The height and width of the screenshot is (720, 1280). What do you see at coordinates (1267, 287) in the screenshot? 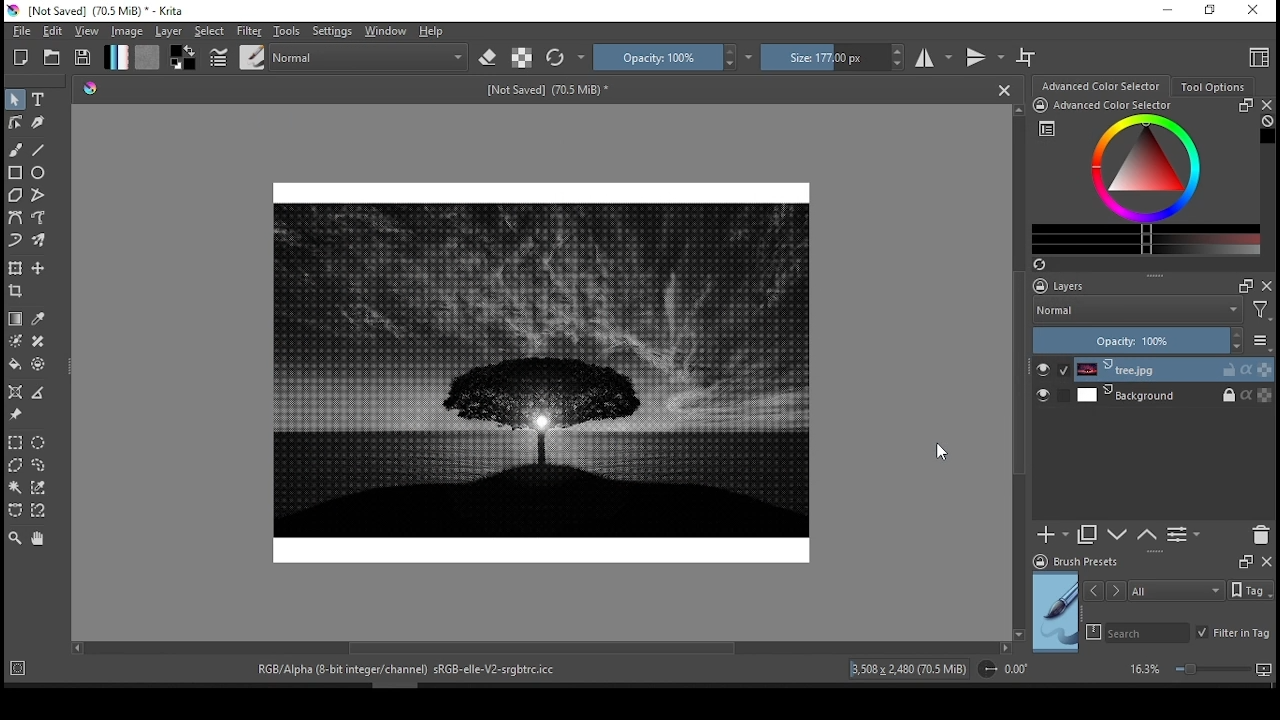
I see `close docker` at bounding box center [1267, 287].